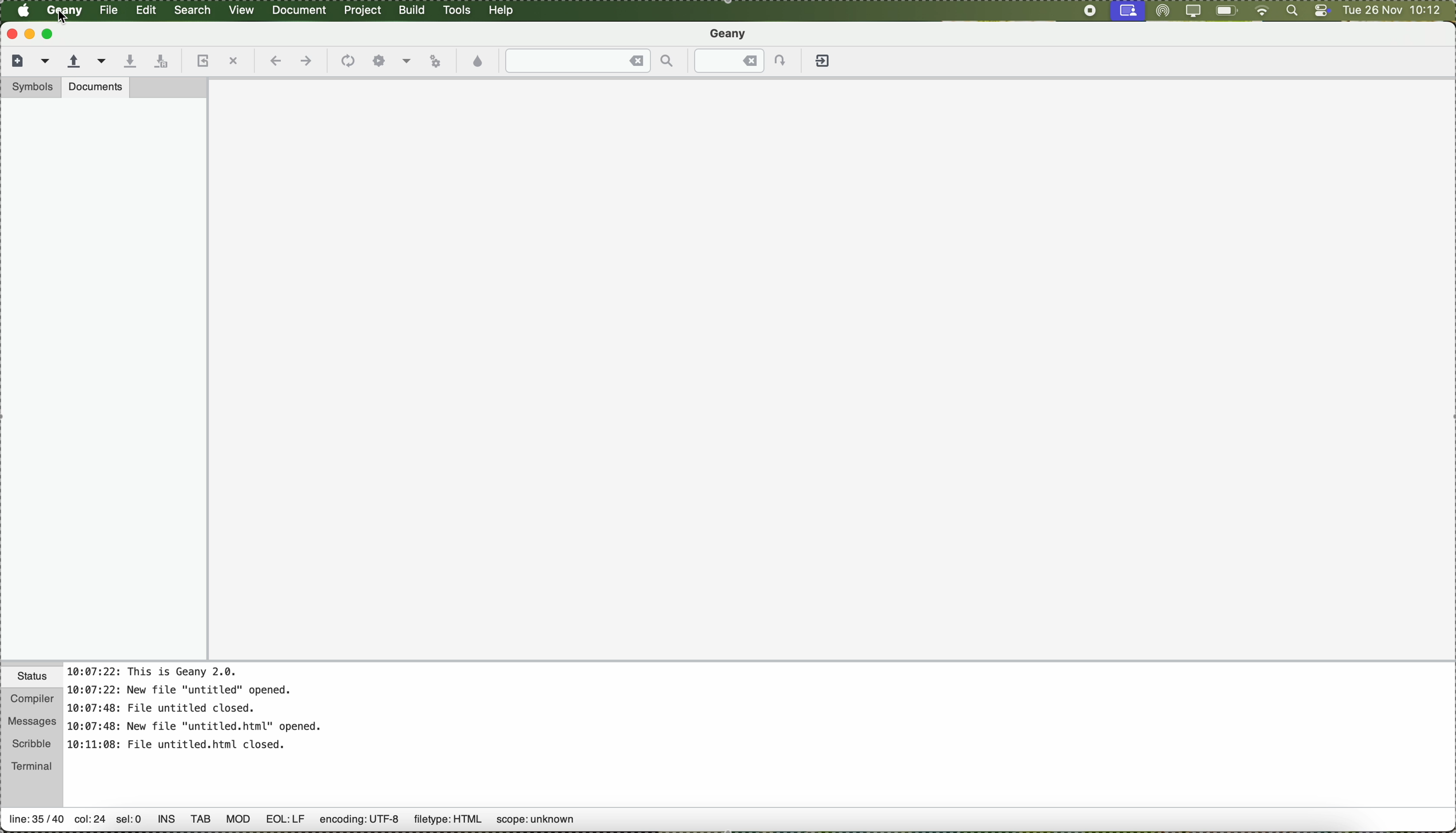 The image size is (1456, 833). What do you see at coordinates (32, 719) in the screenshot?
I see `messages` at bounding box center [32, 719].